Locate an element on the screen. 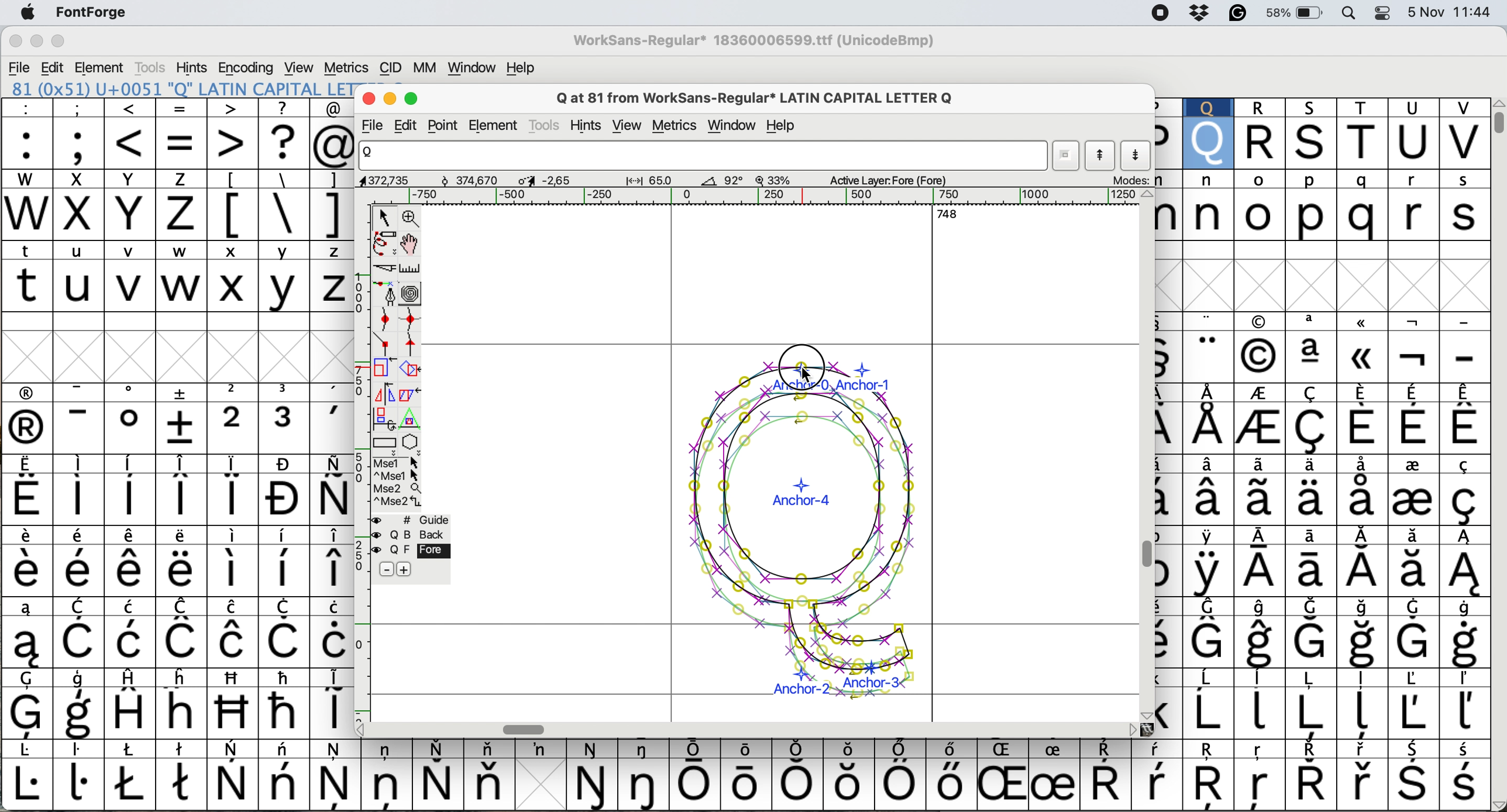  skew the selection is located at coordinates (409, 394).